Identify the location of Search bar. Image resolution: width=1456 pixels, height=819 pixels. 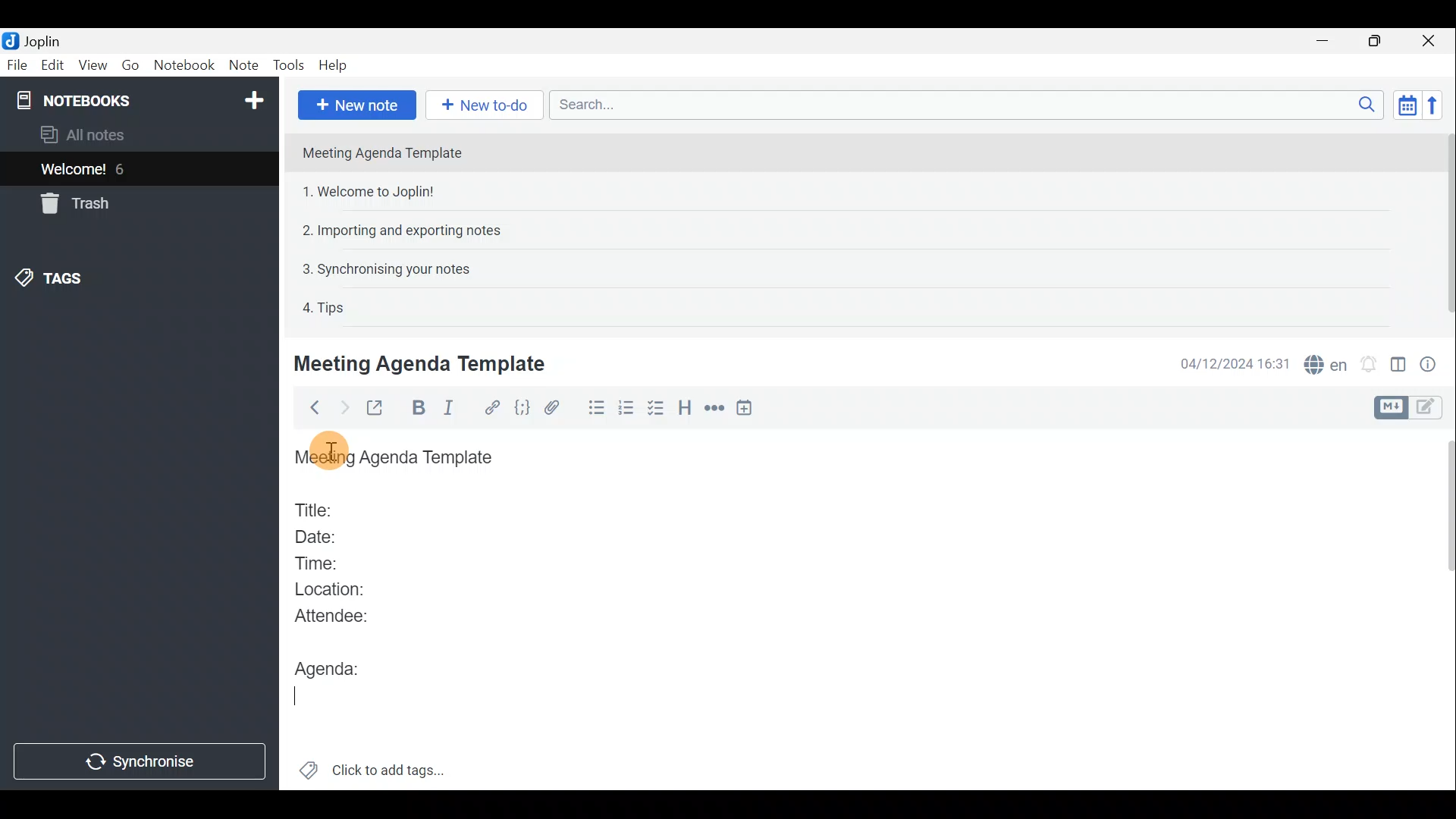
(962, 104).